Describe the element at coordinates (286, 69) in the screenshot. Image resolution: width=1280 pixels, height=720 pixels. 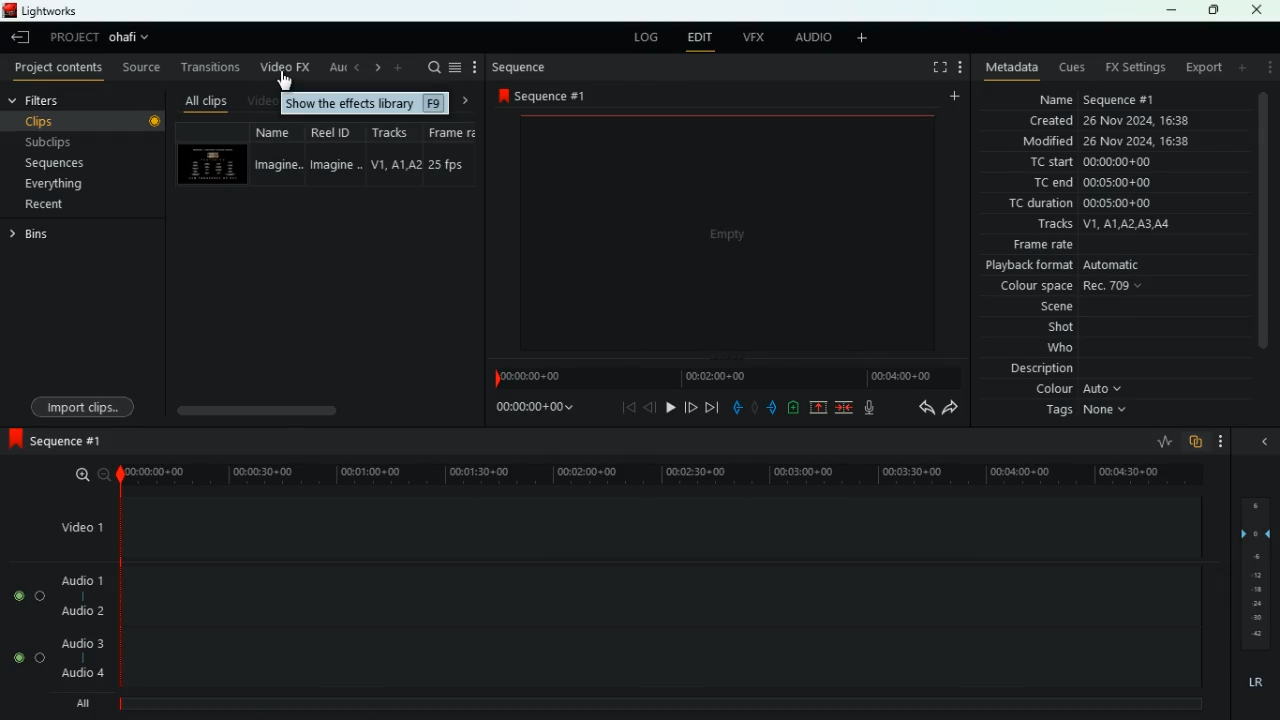
I see `video fx` at that location.